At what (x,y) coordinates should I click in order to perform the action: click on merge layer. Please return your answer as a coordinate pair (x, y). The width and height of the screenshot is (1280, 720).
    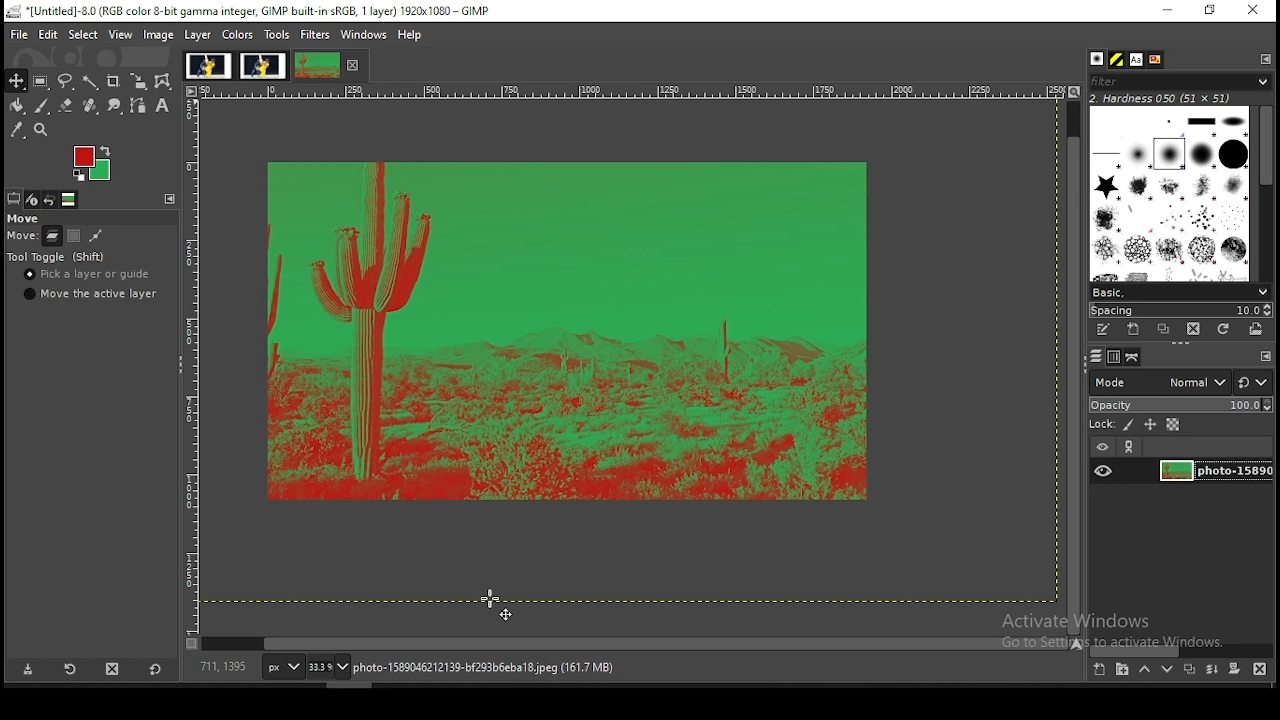
    Looking at the image, I should click on (1214, 669).